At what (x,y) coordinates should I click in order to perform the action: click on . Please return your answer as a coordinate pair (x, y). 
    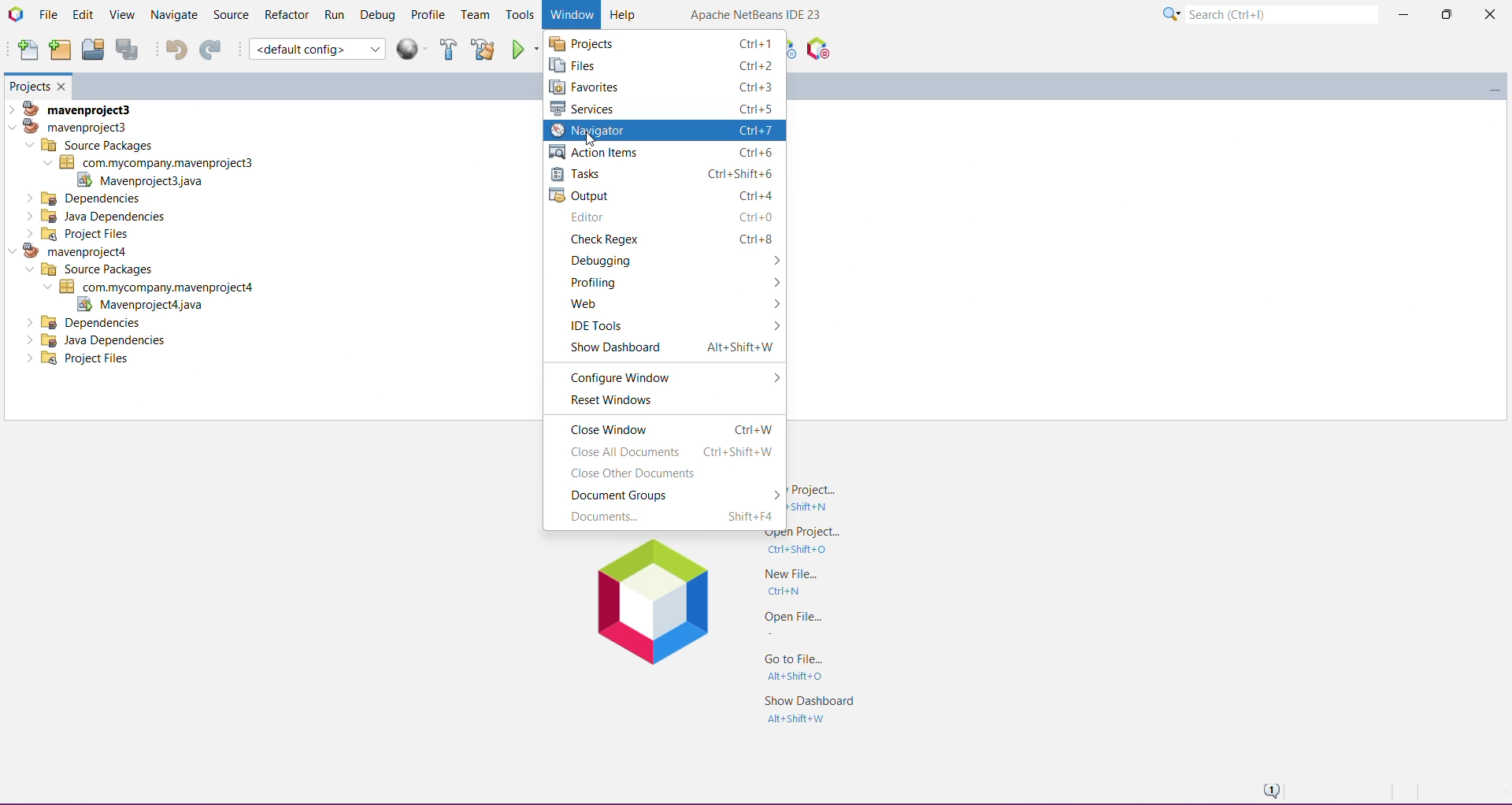
    Looking at the image, I should click on (414, 49).